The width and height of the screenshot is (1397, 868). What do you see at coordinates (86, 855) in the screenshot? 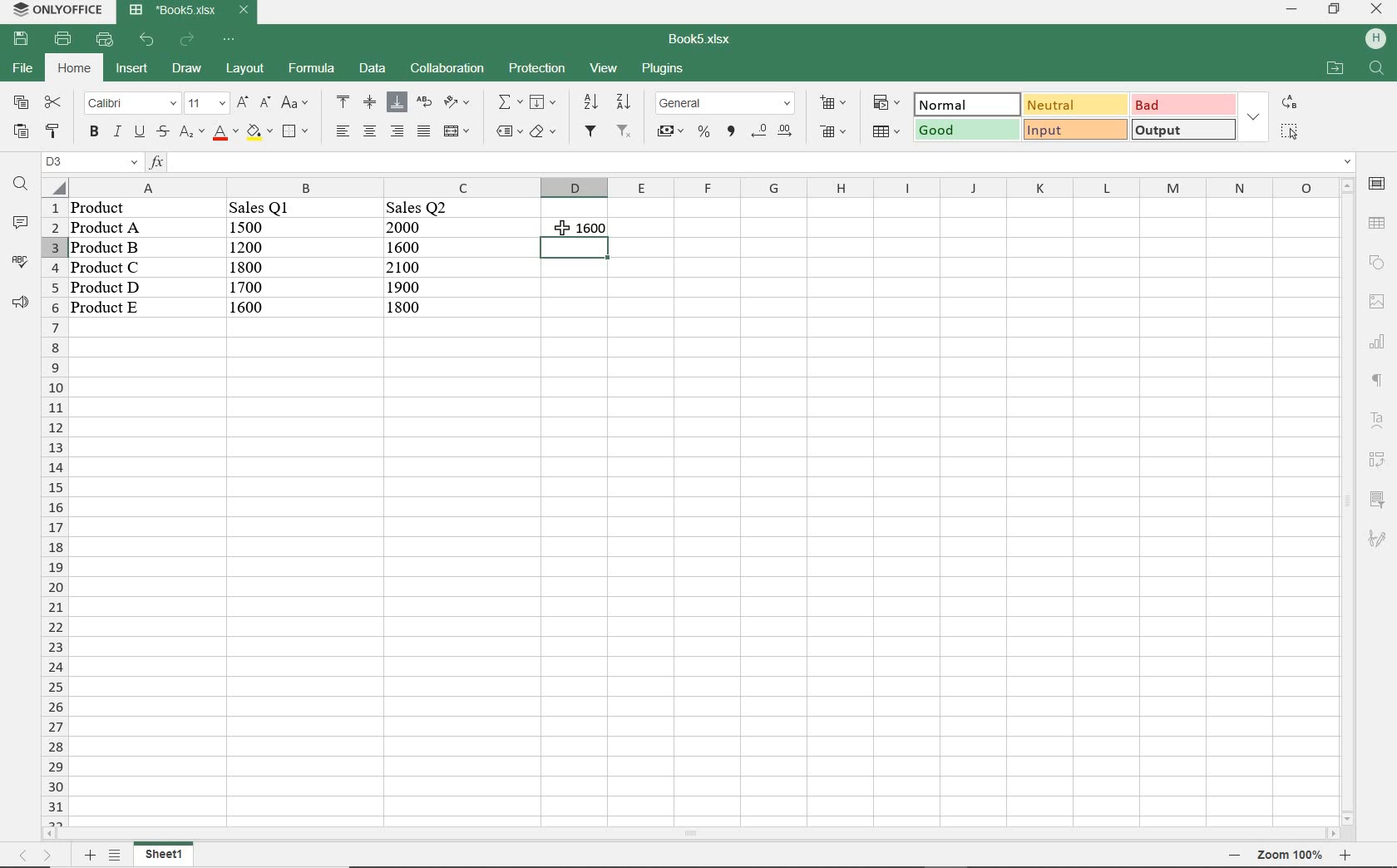
I see `add sheets` at bounding box center [86, 855].